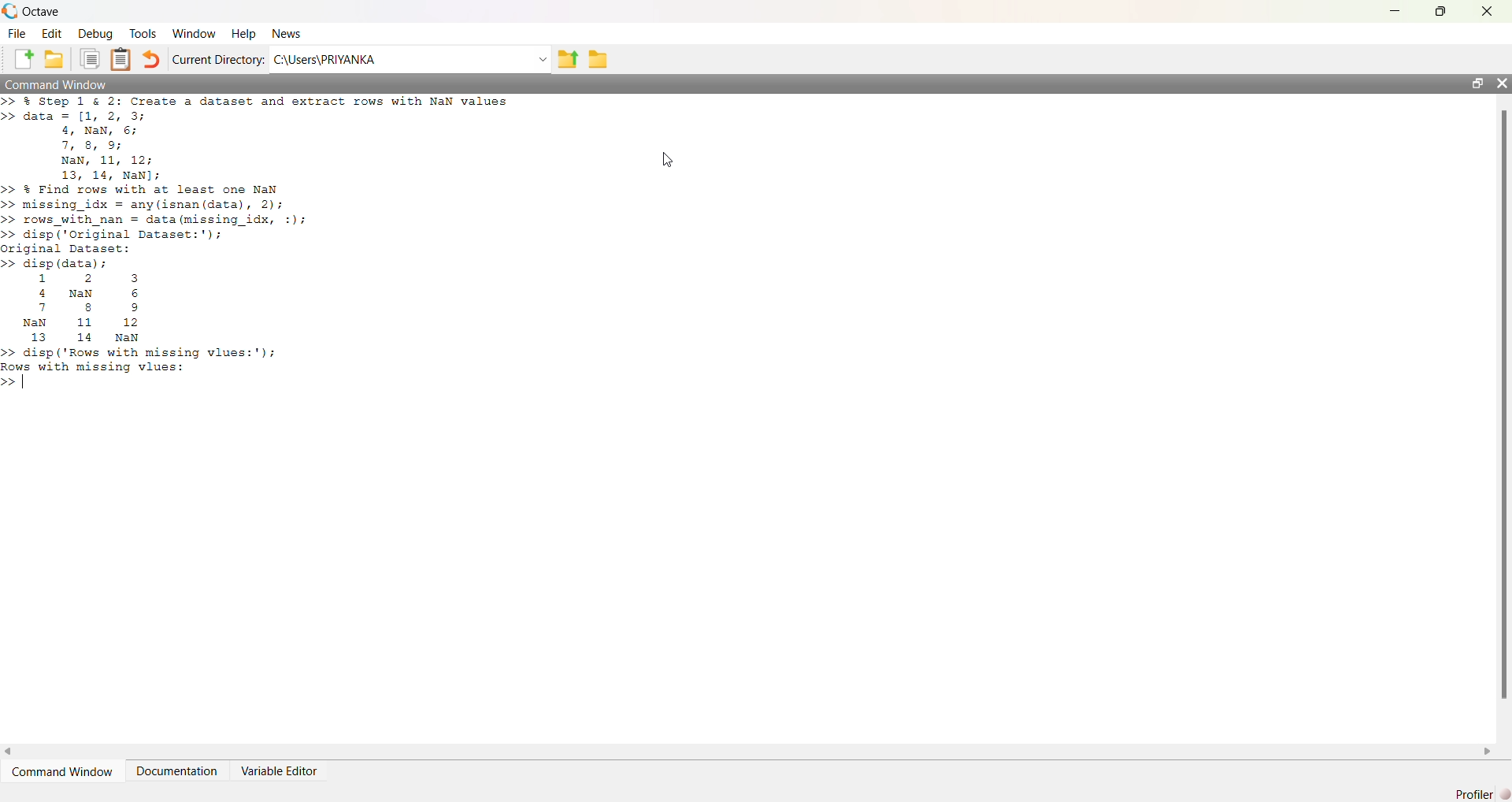  What do you see at coordinates (41, 11) in the screenshot?
I see `Octave` at bounding box center [41, 11].